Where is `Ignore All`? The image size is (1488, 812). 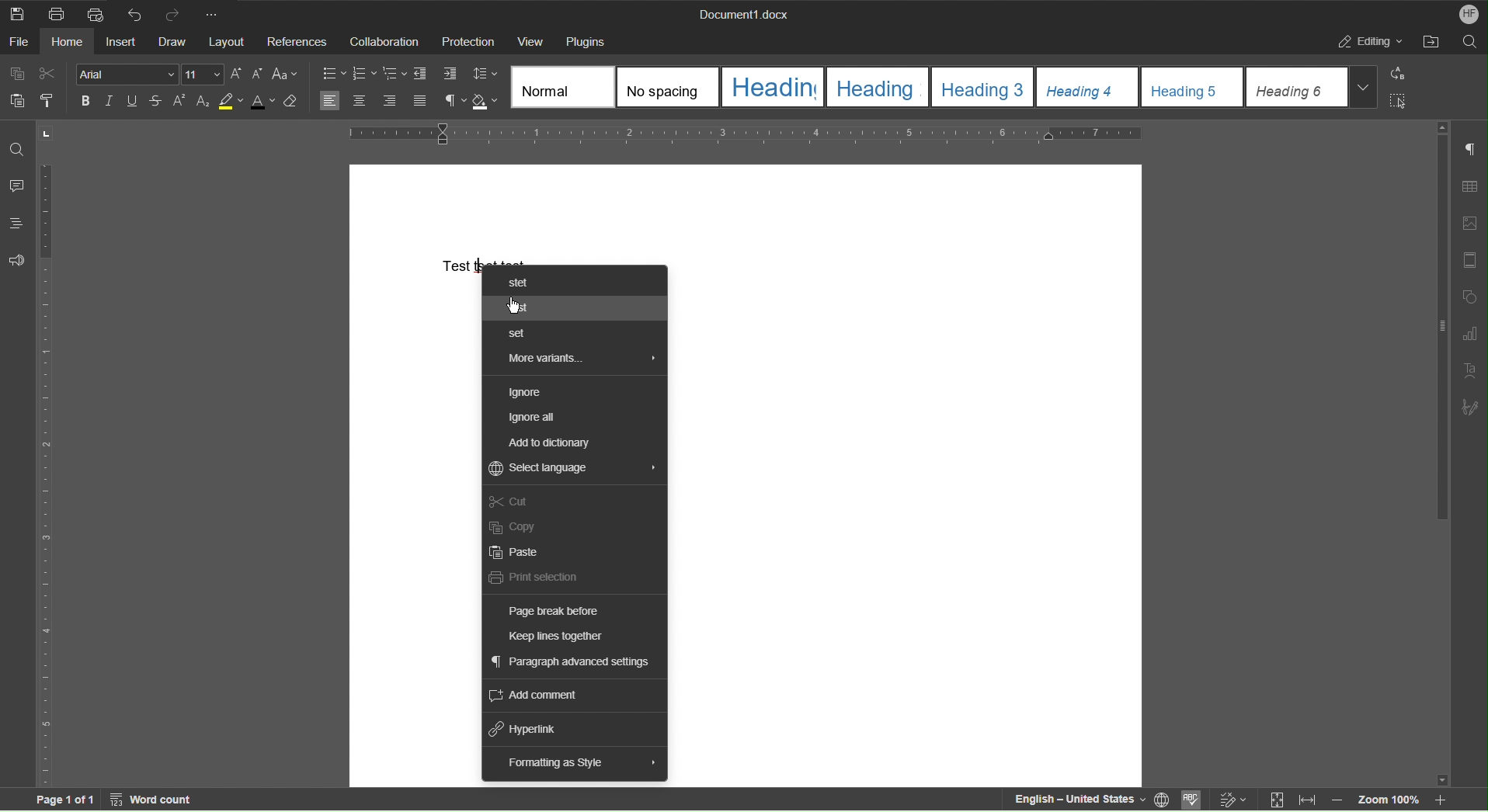
Ignore All is located at coordinates (531, 418).